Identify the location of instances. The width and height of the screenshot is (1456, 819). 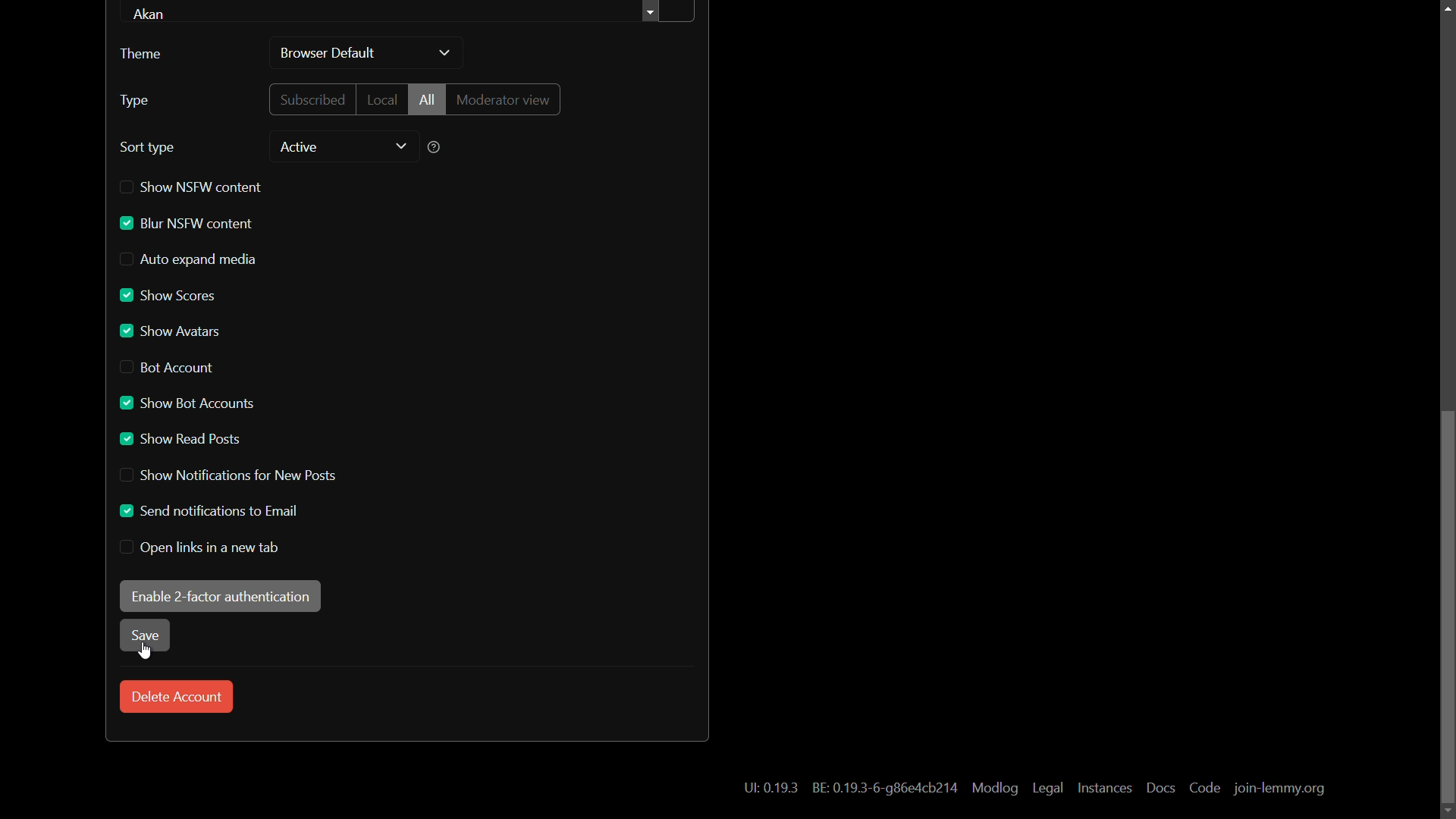
(1106, 788).